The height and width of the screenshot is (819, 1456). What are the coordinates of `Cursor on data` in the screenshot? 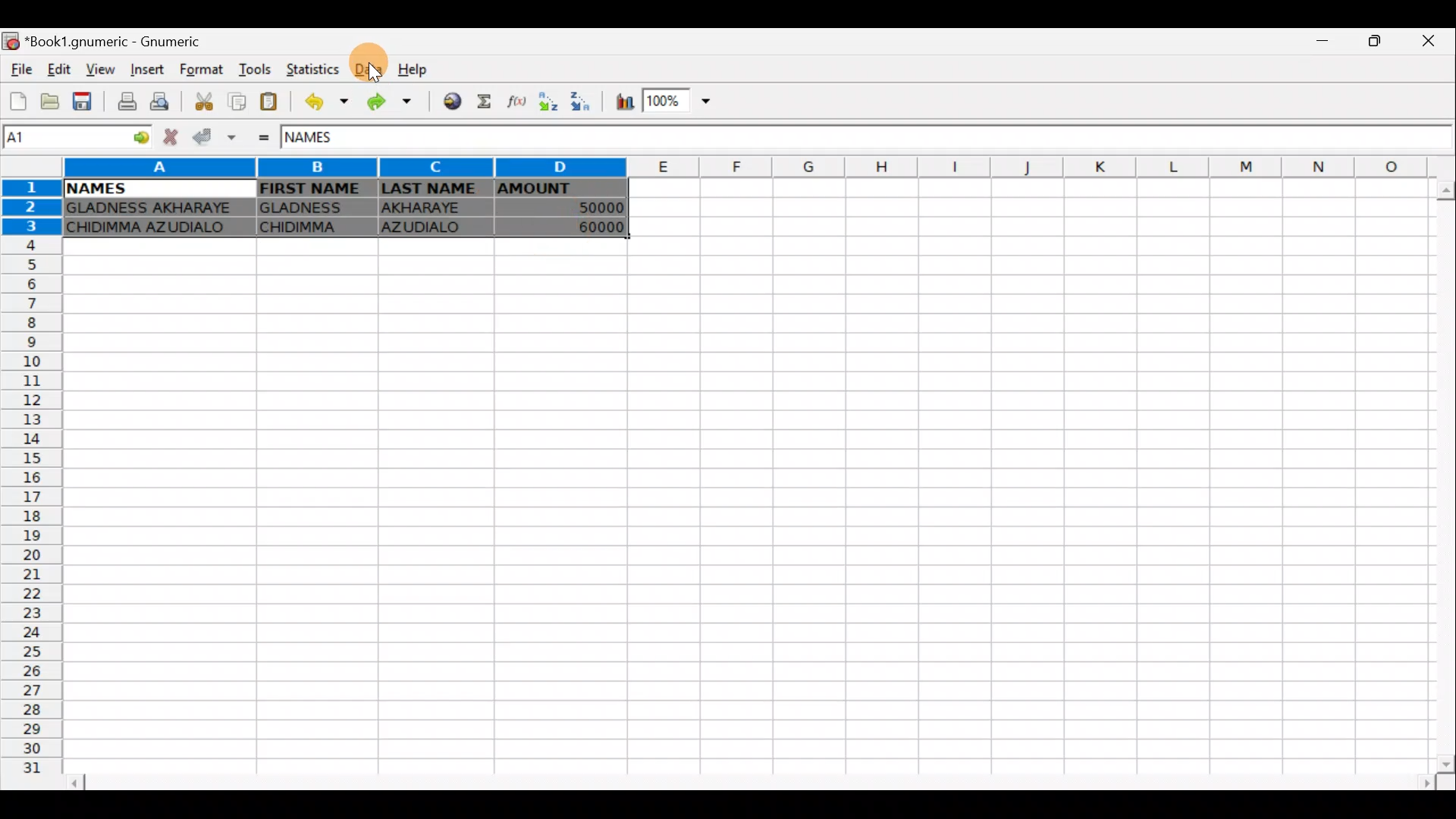 It's located at (372, 55).